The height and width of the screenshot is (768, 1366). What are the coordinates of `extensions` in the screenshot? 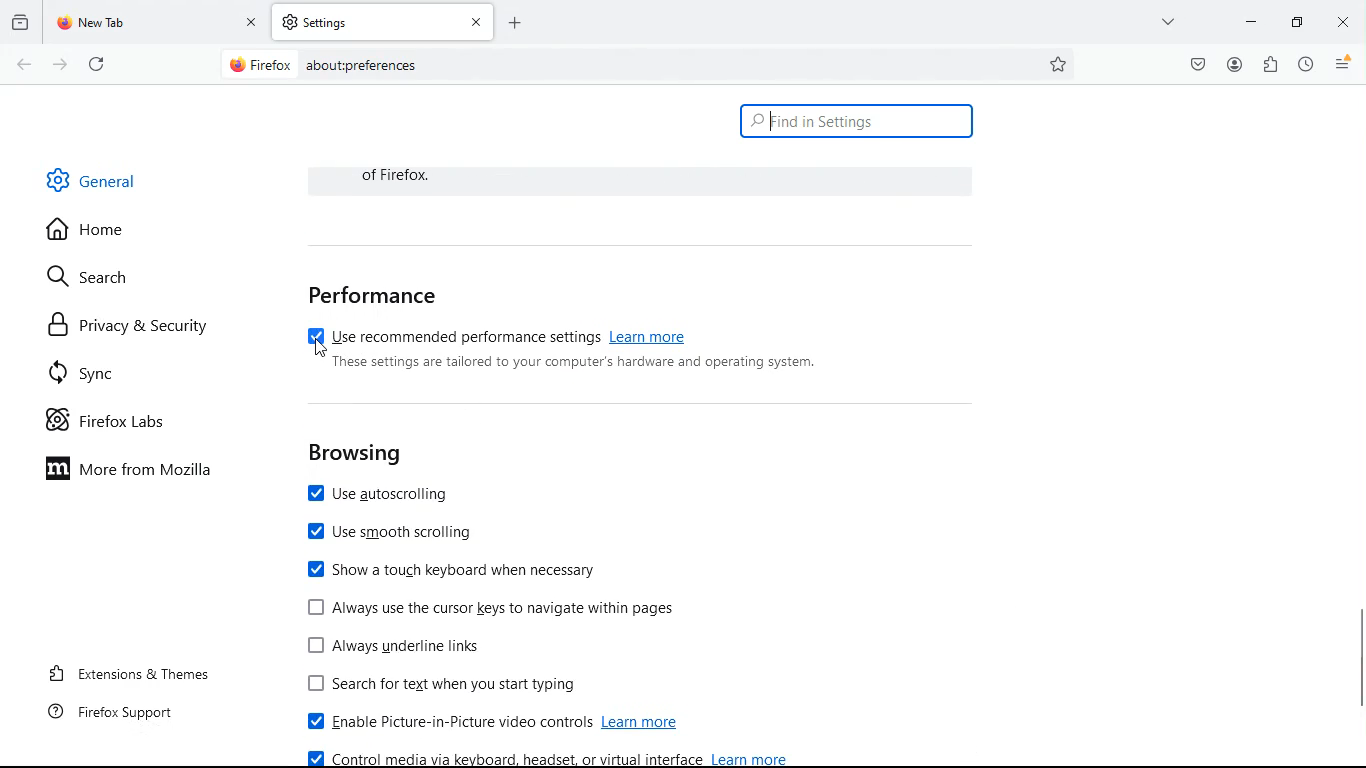 It's located at (1269, 66).